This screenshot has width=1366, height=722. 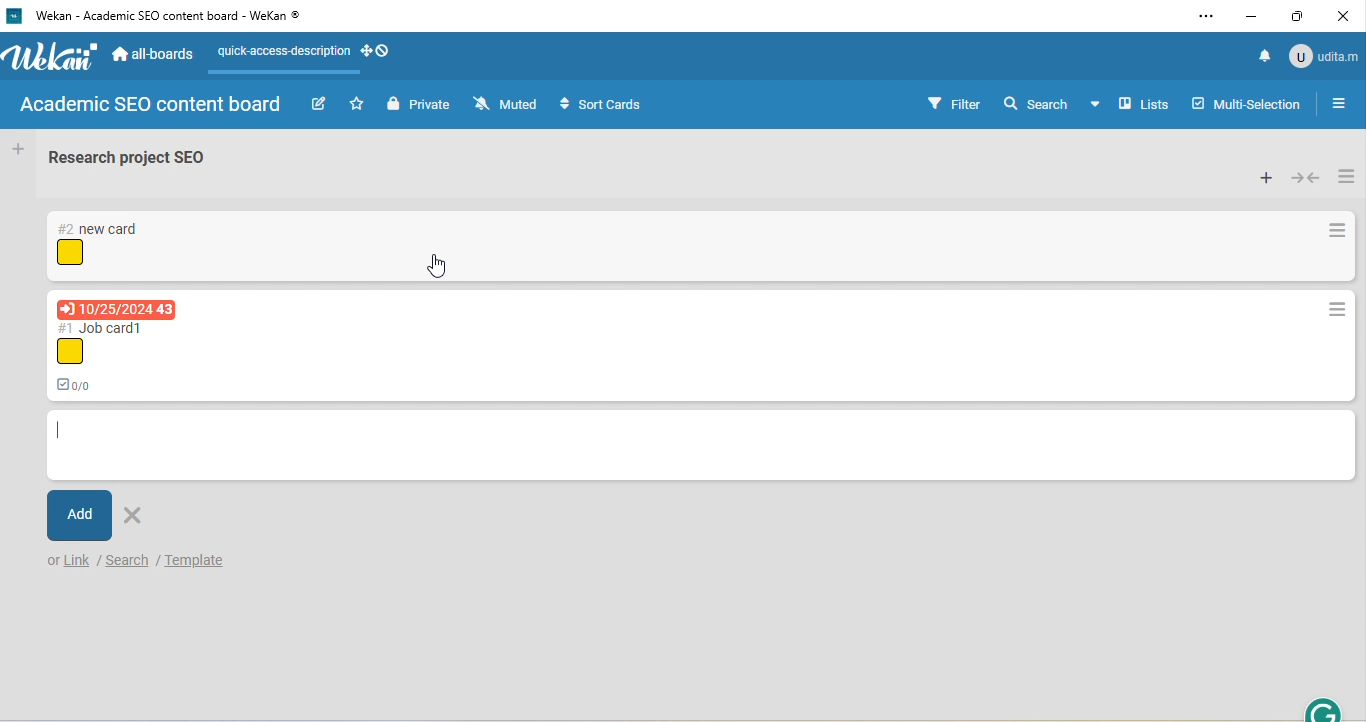 What do you see at coordinates (1300, 18) in the screenshot?
I see `maximize` at bounding box center [1300, 18].